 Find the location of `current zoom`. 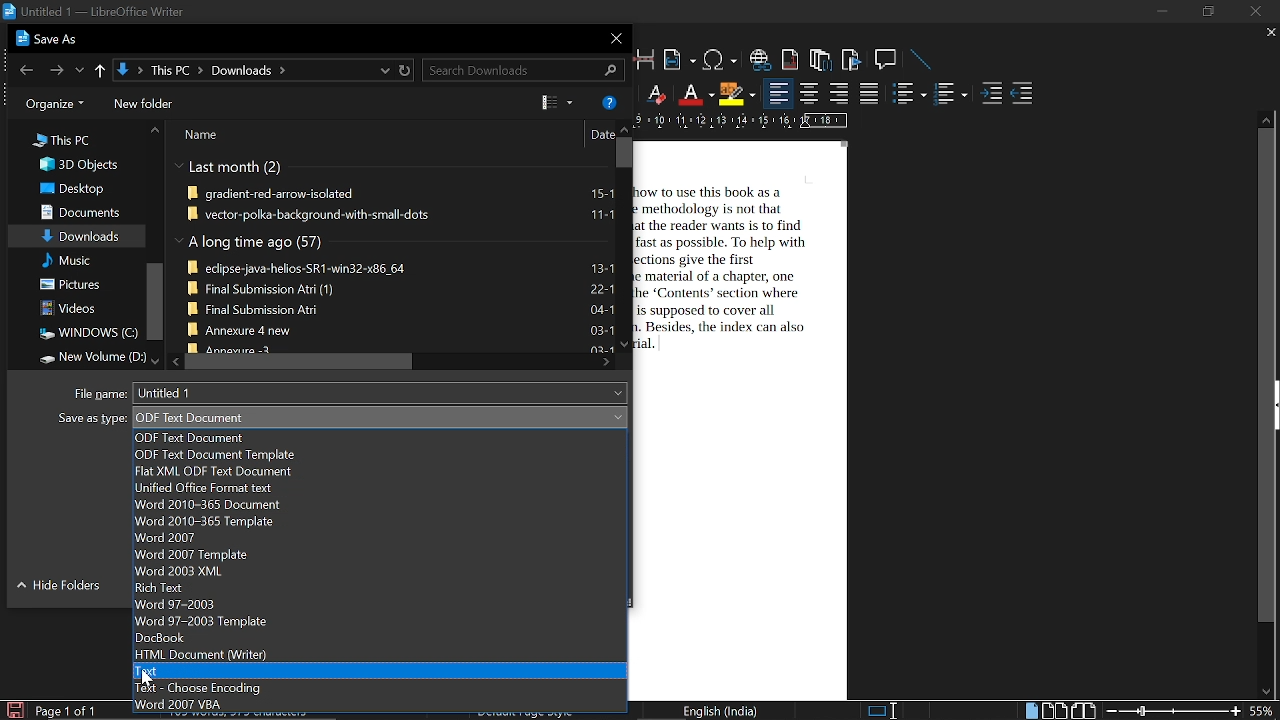

current zoom is located at coordinates (1264, 710).